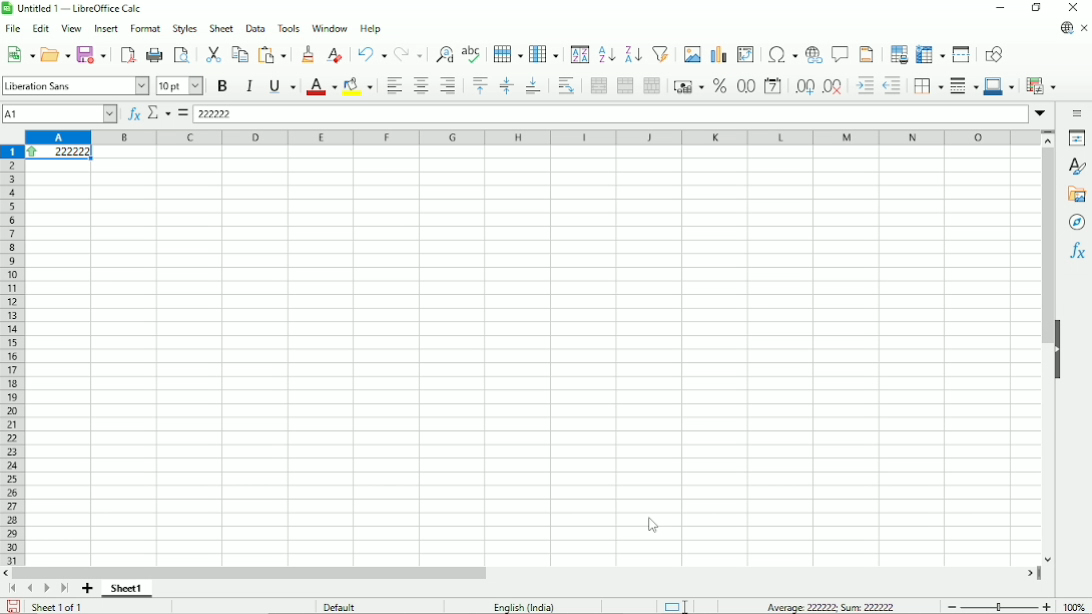  I want to click on View, so click(71, 28).